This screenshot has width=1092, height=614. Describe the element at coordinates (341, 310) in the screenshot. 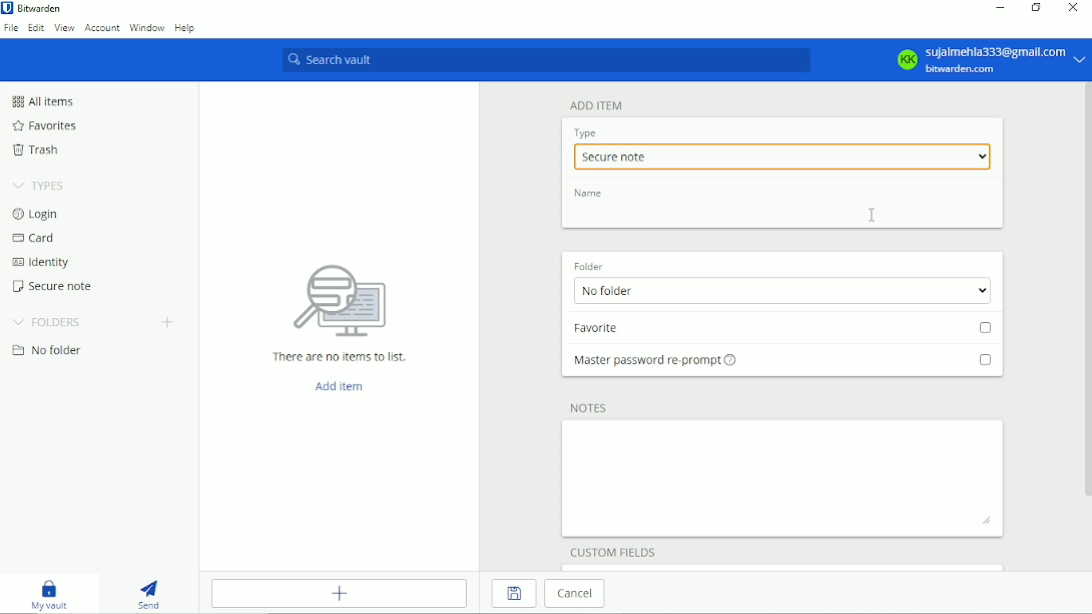

I see `There are no items to list.` at that location.